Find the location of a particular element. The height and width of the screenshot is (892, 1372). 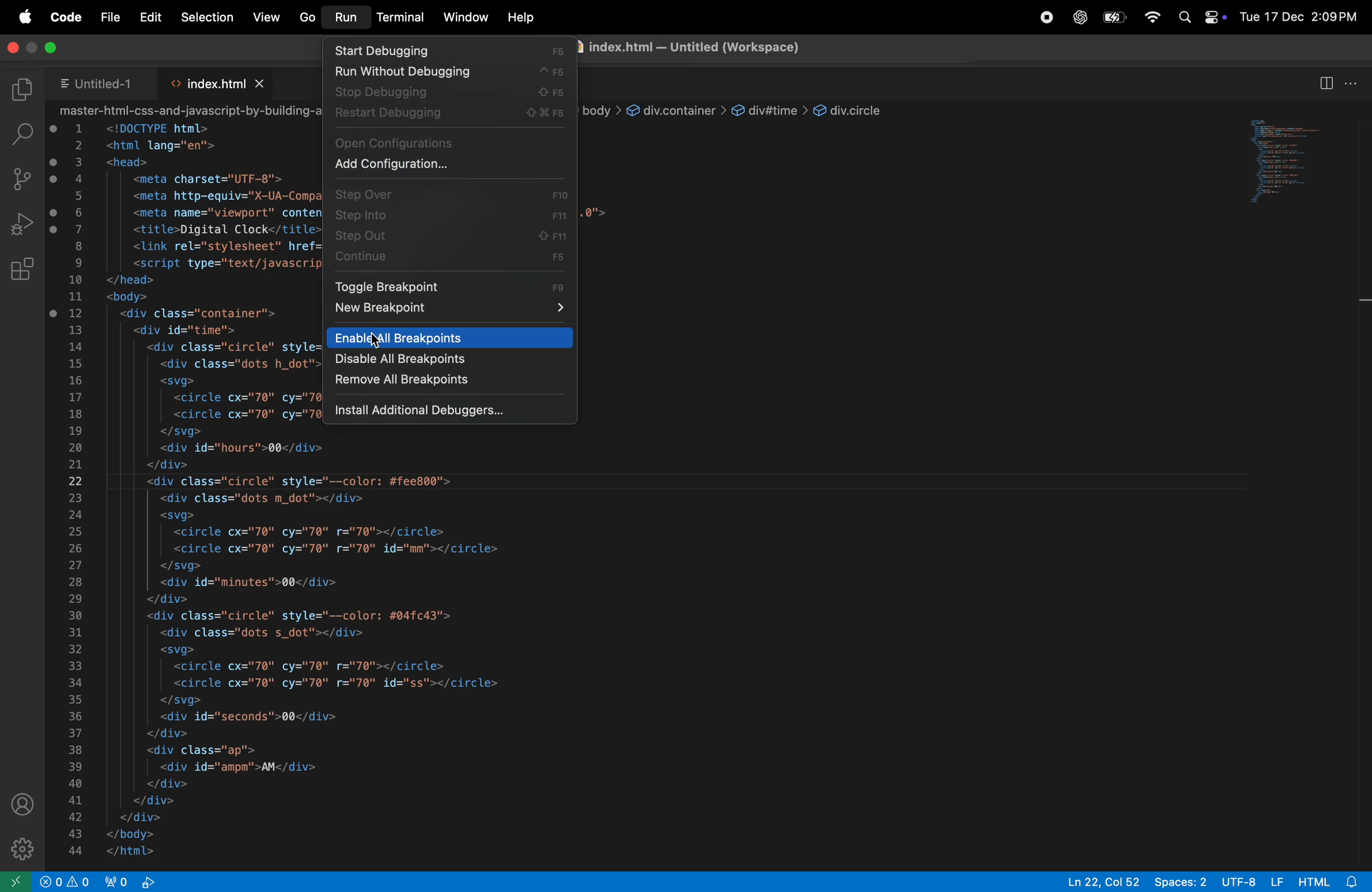

code is located at coordinates (65, 17).